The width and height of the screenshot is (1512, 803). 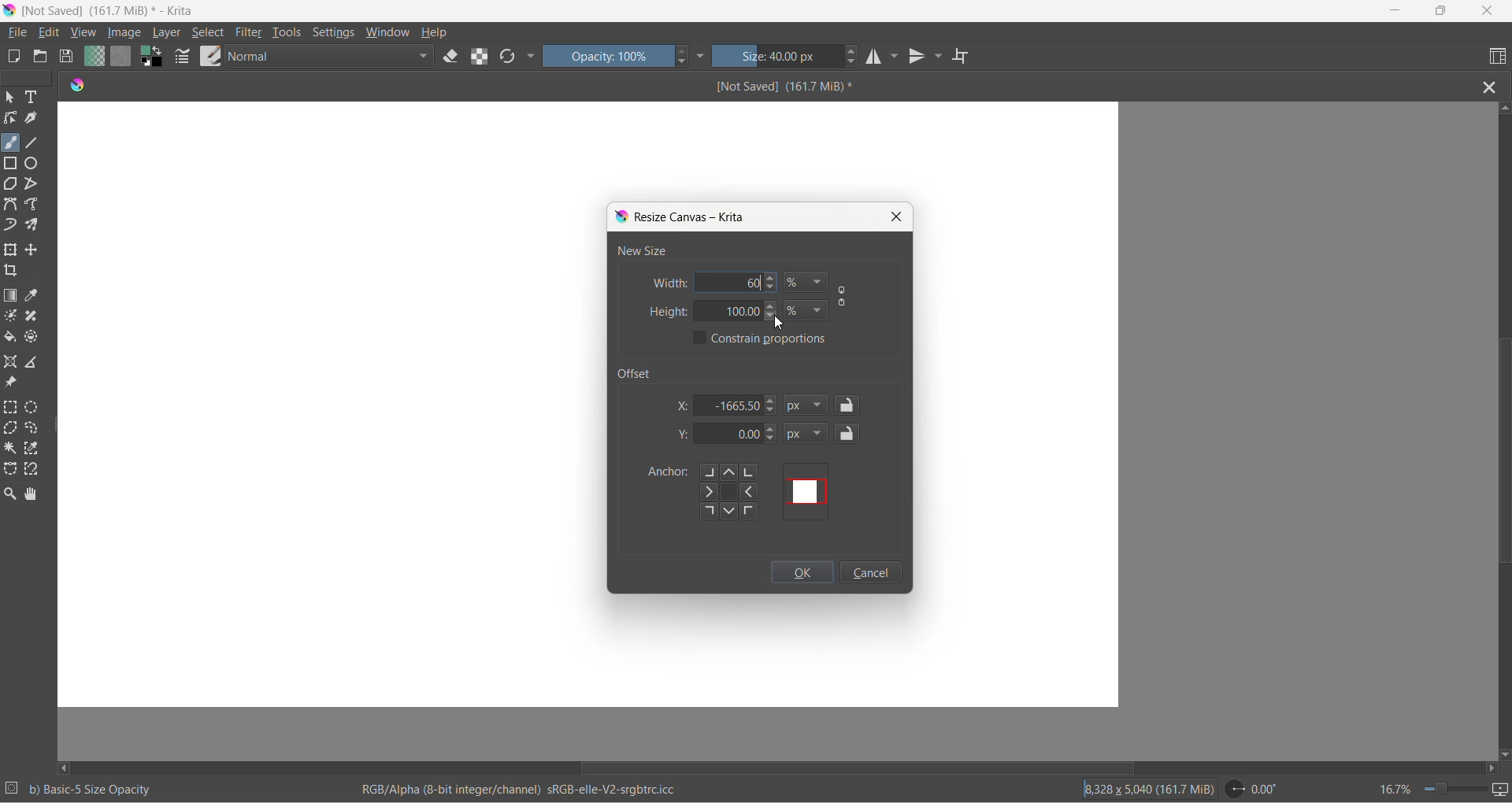 What do you see at coordinates (12, 226) in the screenshot?
I see `dynamic brush tool` at bounding box center [12, 226].